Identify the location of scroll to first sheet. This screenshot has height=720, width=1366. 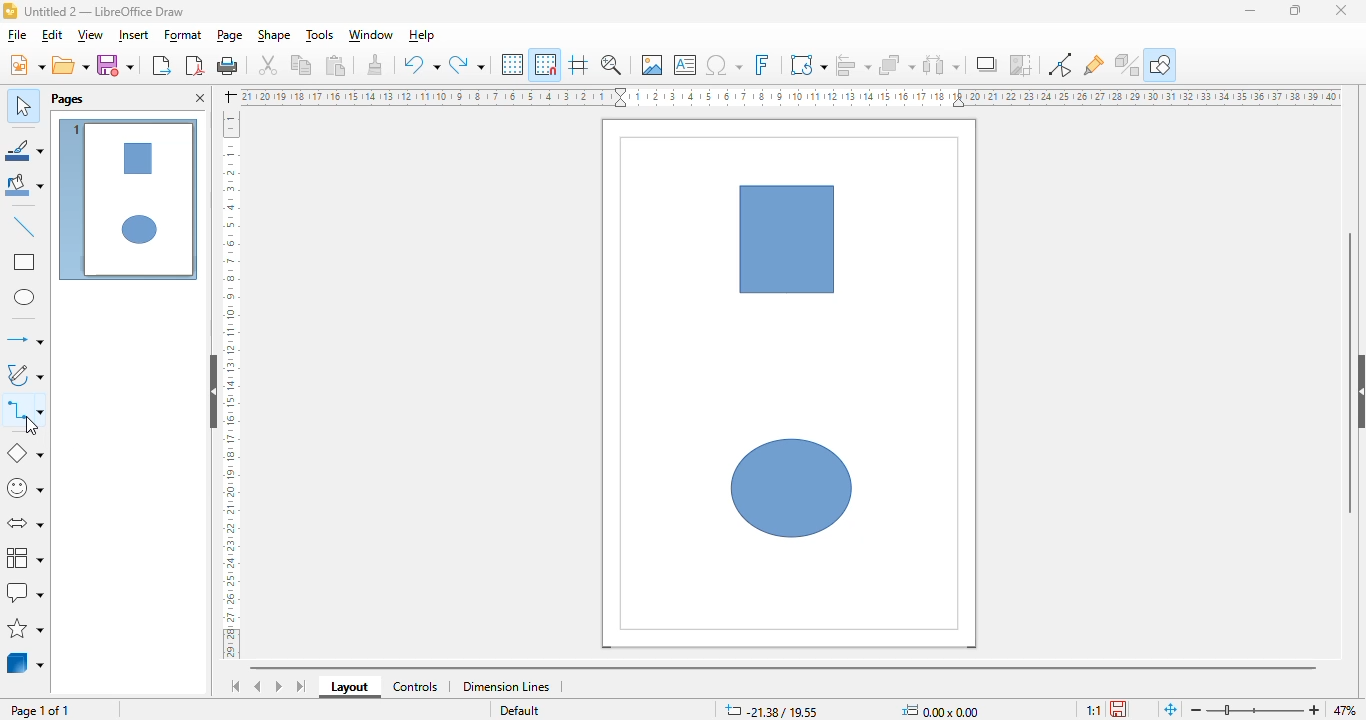
(236, 687).